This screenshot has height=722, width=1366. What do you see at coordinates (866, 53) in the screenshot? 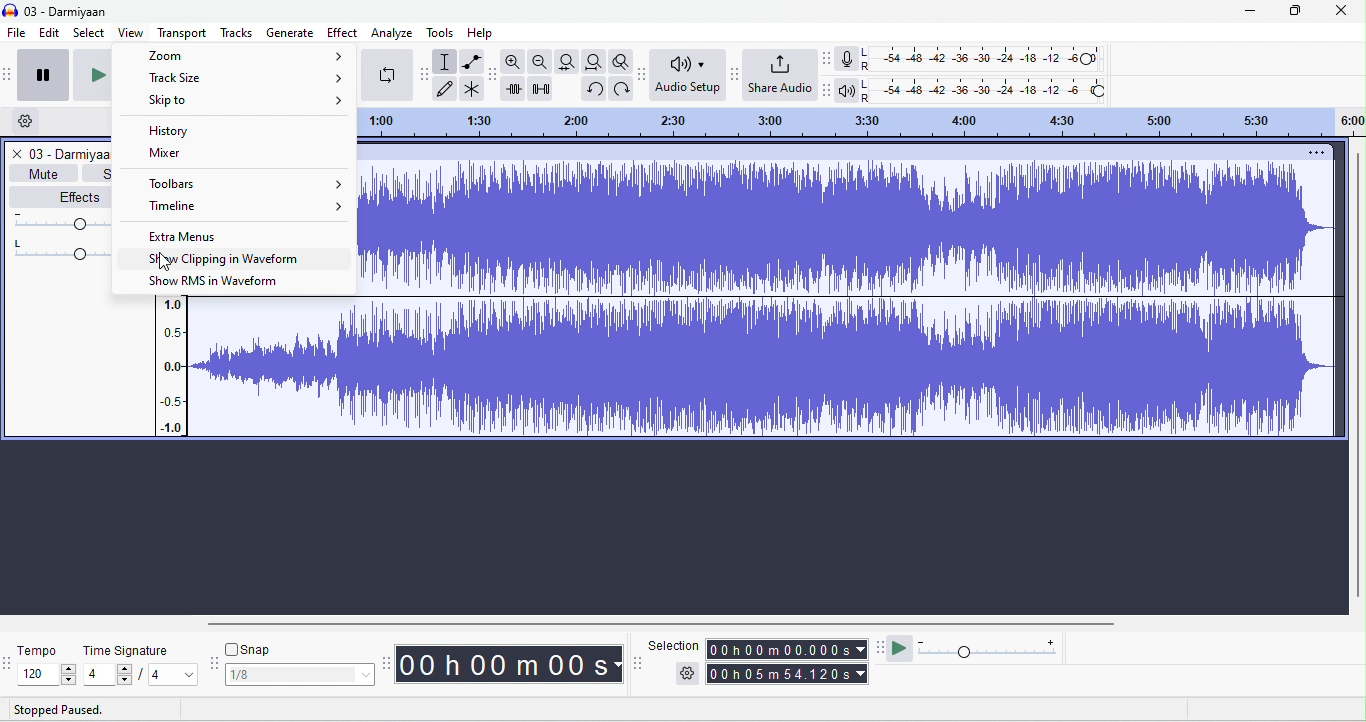
I see `L` at bounding box center [866, 53].